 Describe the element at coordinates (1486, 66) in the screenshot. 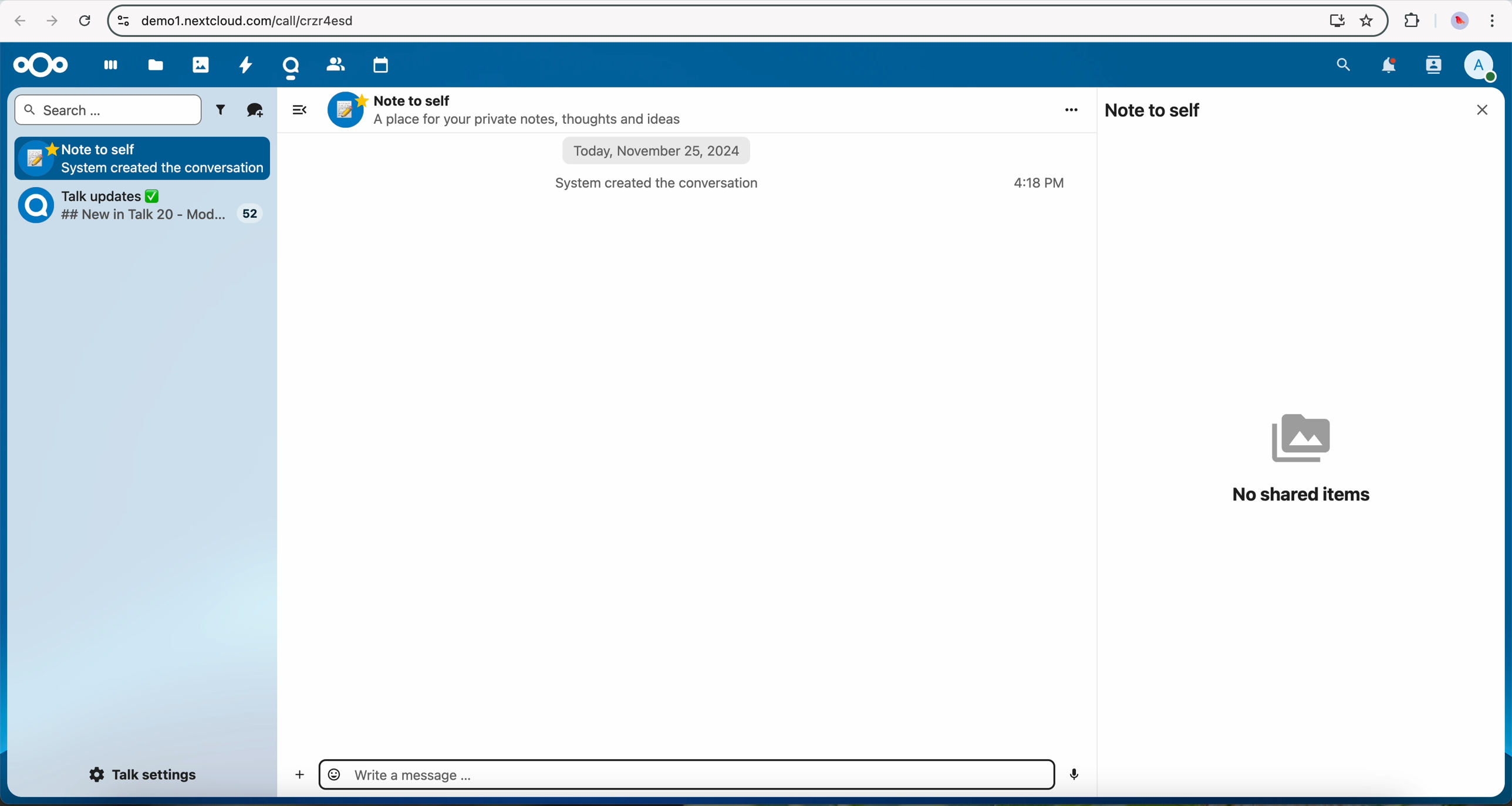

I see `user profile` at that location.